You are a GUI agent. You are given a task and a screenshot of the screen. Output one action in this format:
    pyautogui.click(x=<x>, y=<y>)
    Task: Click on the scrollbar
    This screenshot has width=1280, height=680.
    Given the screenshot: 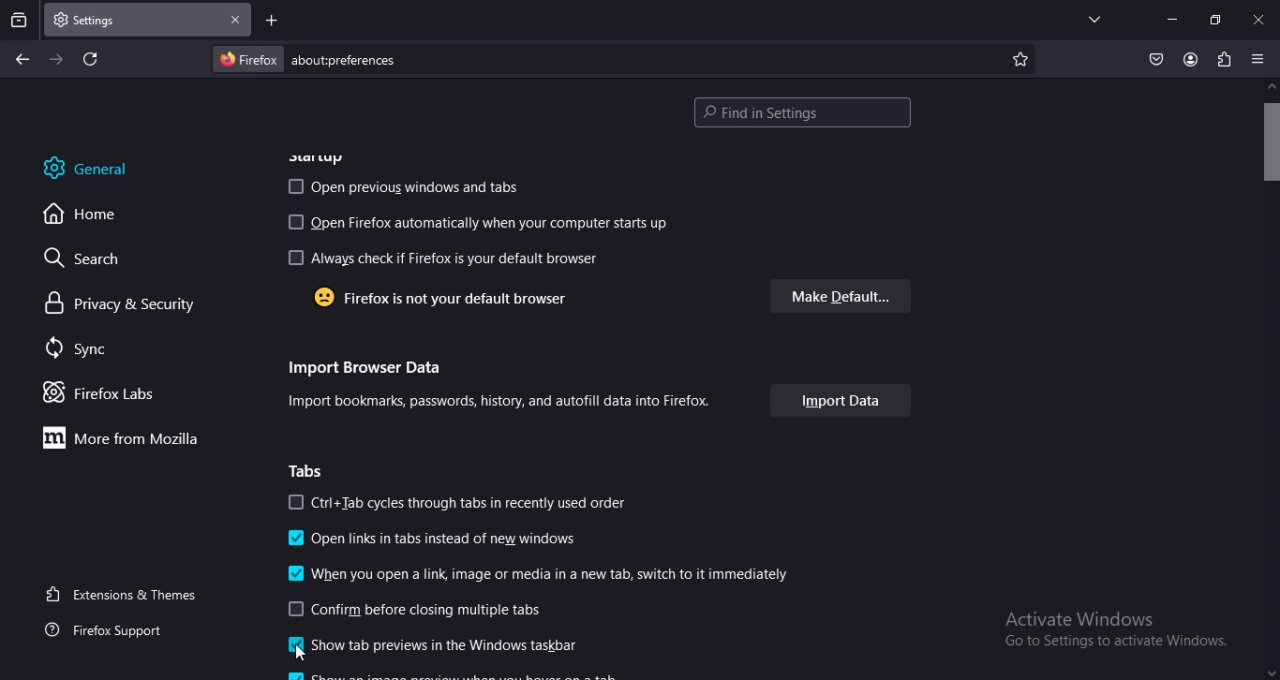 What is the action you would take?
    pyautogui.click(x=1271, y=380)
    